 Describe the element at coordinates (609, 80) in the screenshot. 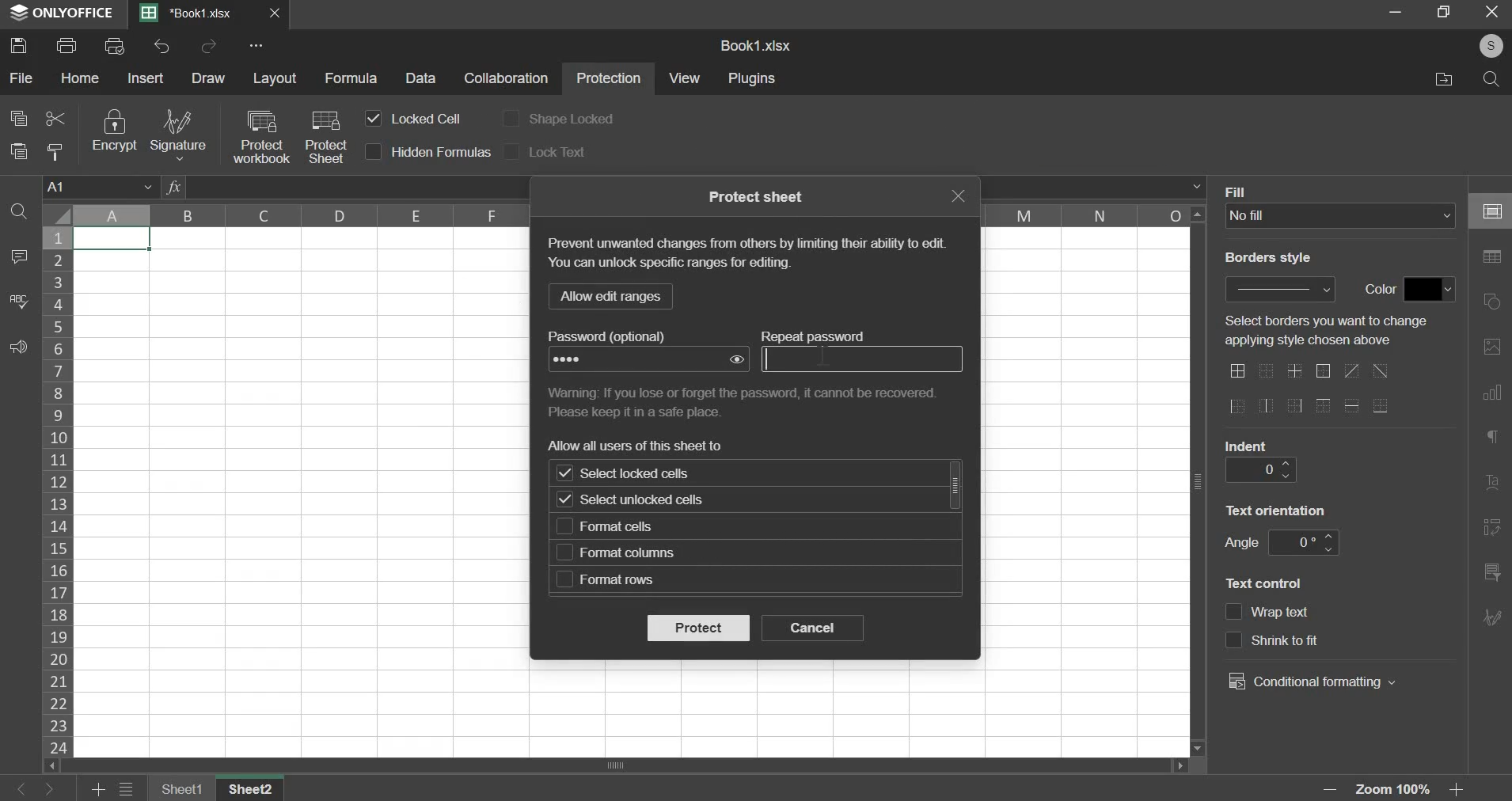

I see `protection` at that location.